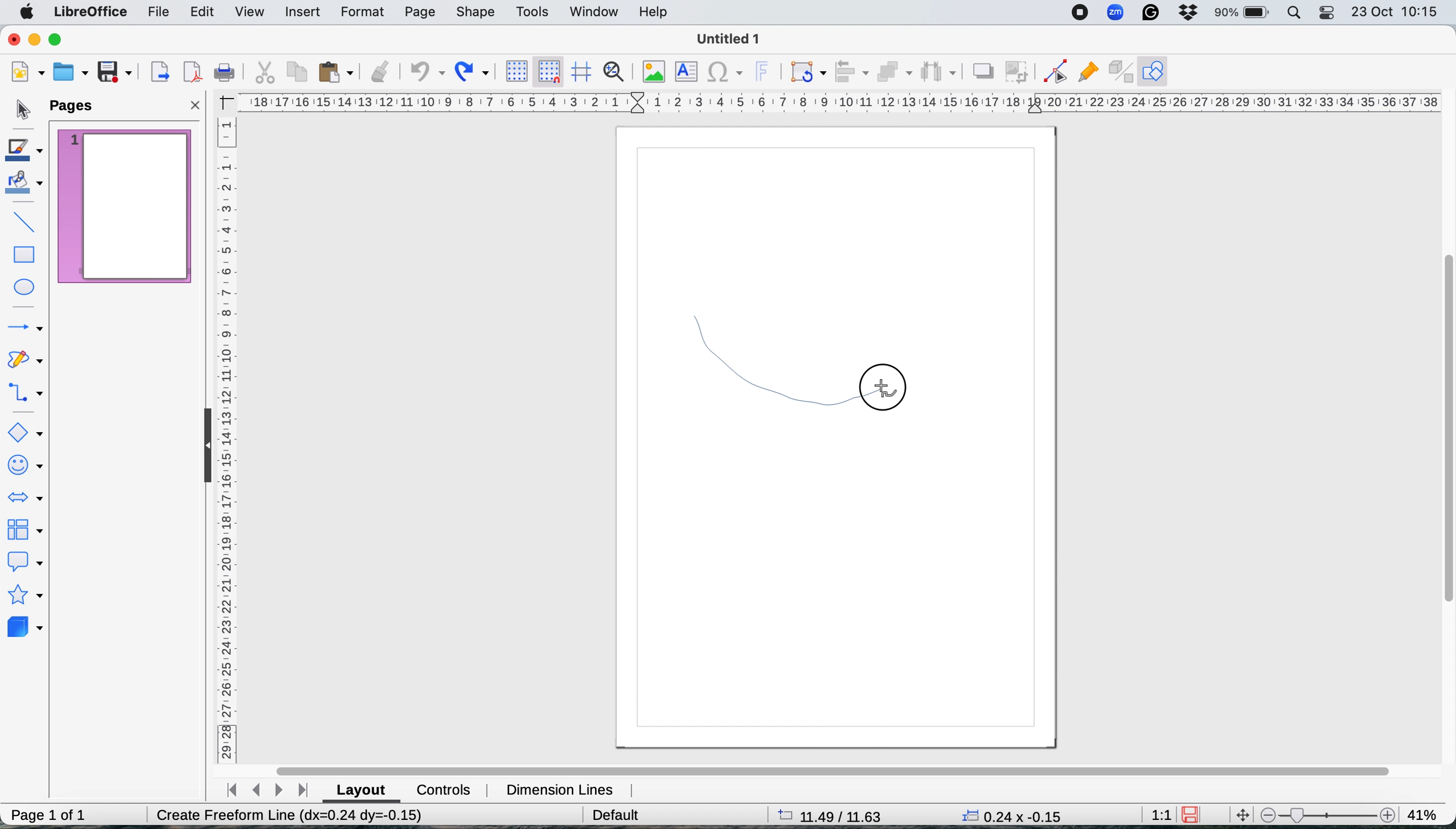  I want to click on crop image, so click(1019, 73).